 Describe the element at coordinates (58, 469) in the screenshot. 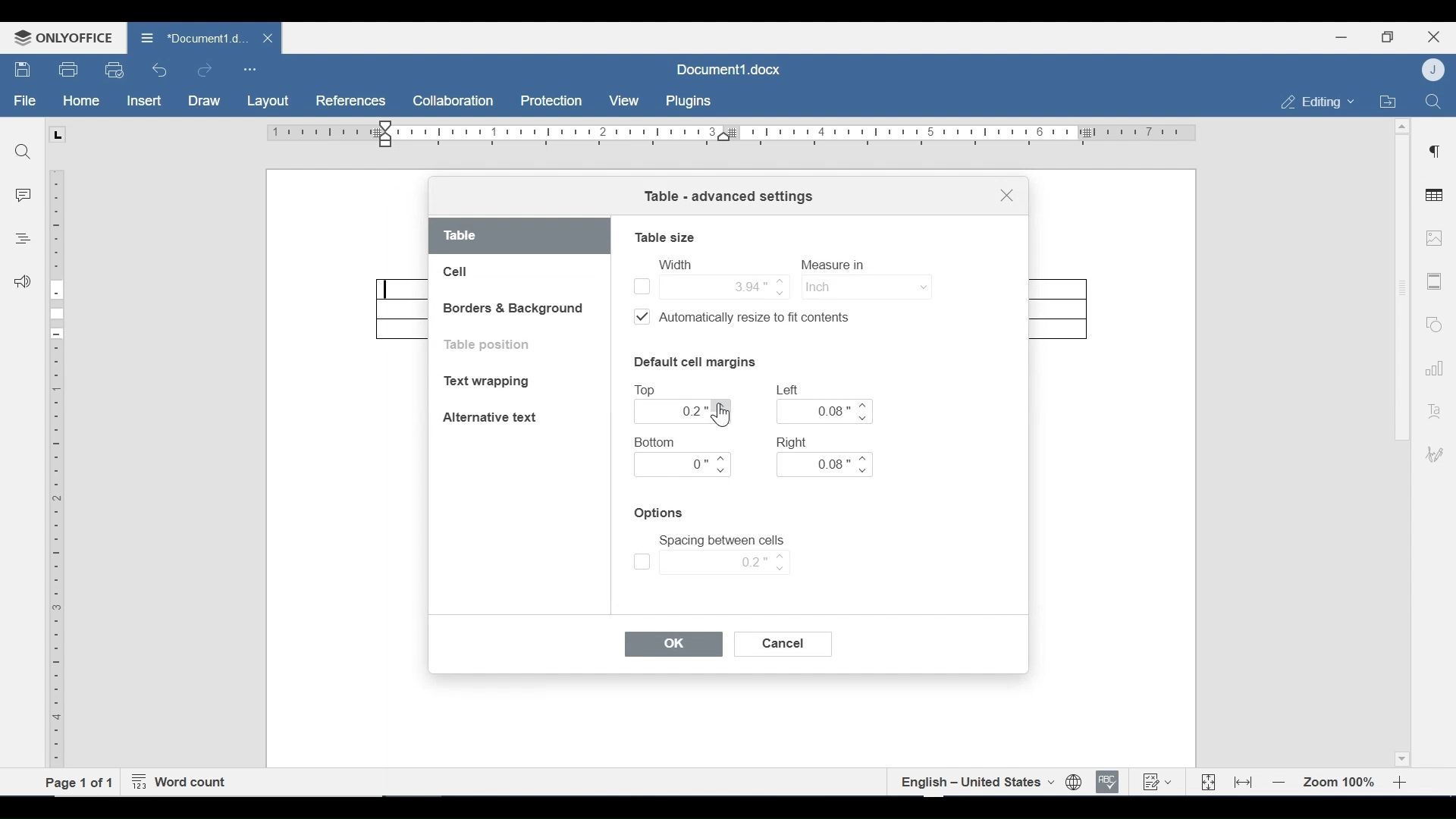

I see `Vertical Ruler` at that location.